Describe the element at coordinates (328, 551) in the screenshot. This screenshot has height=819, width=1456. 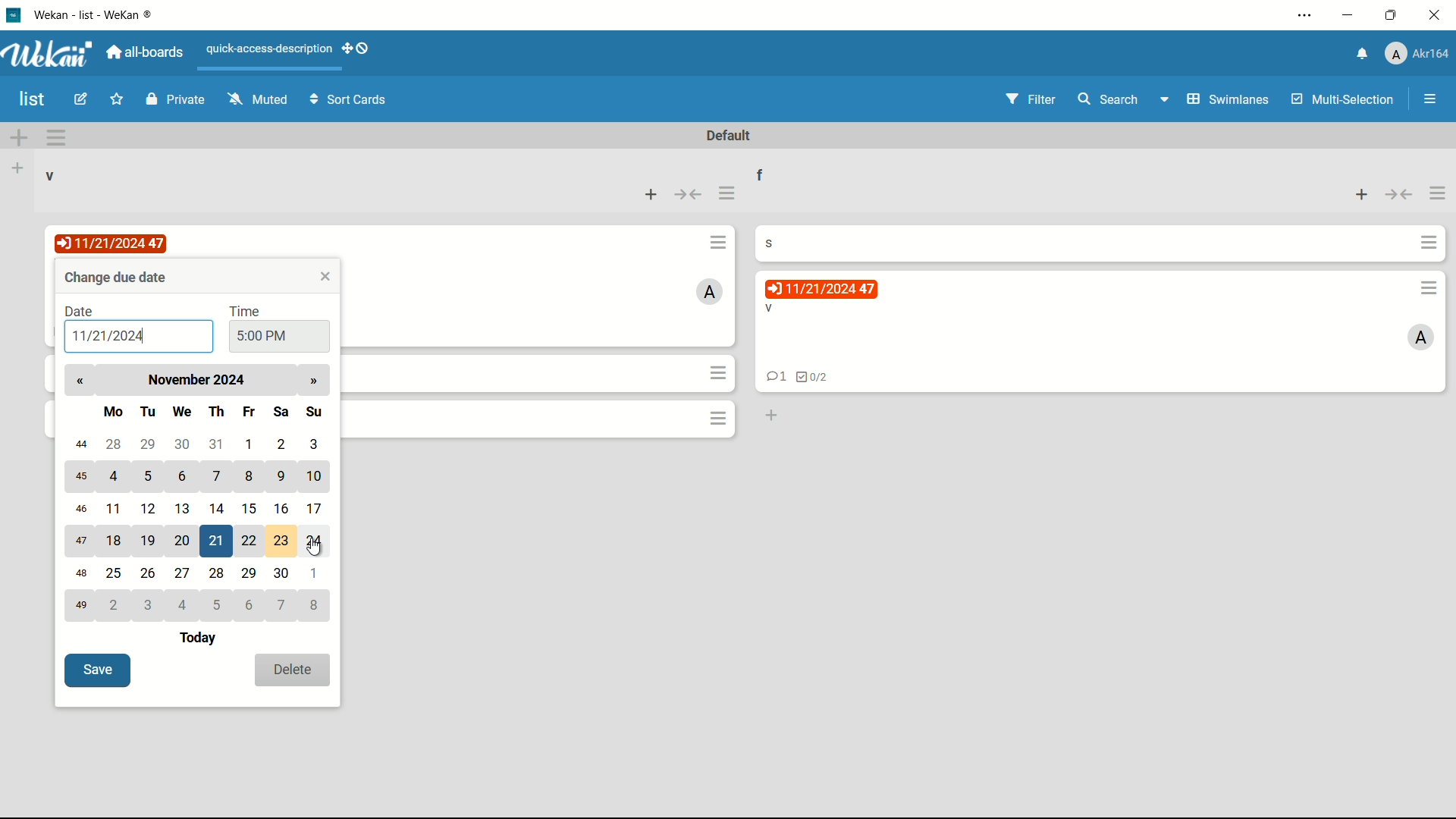
I see `cursor` at that location.